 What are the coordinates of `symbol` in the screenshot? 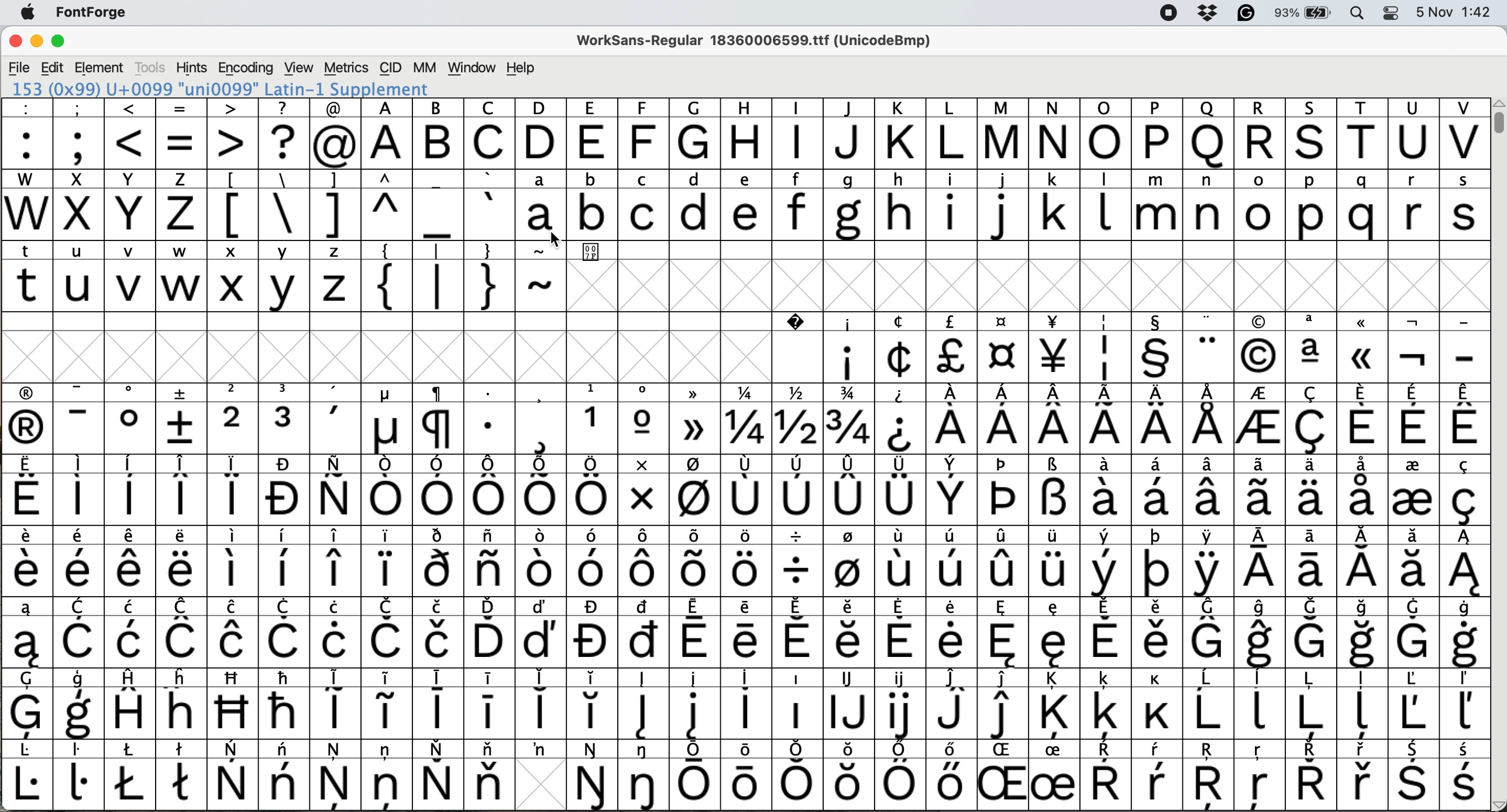 It's located at (438, 775).